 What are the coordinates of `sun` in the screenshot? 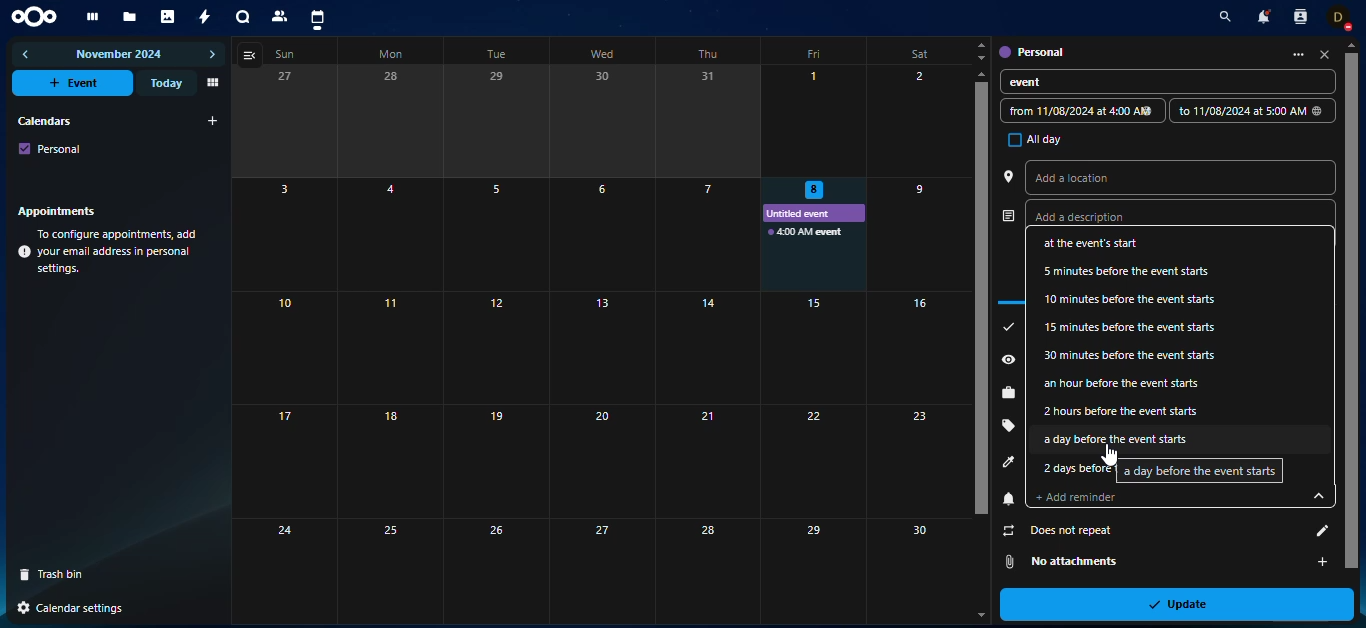 It's located at (290, 54).